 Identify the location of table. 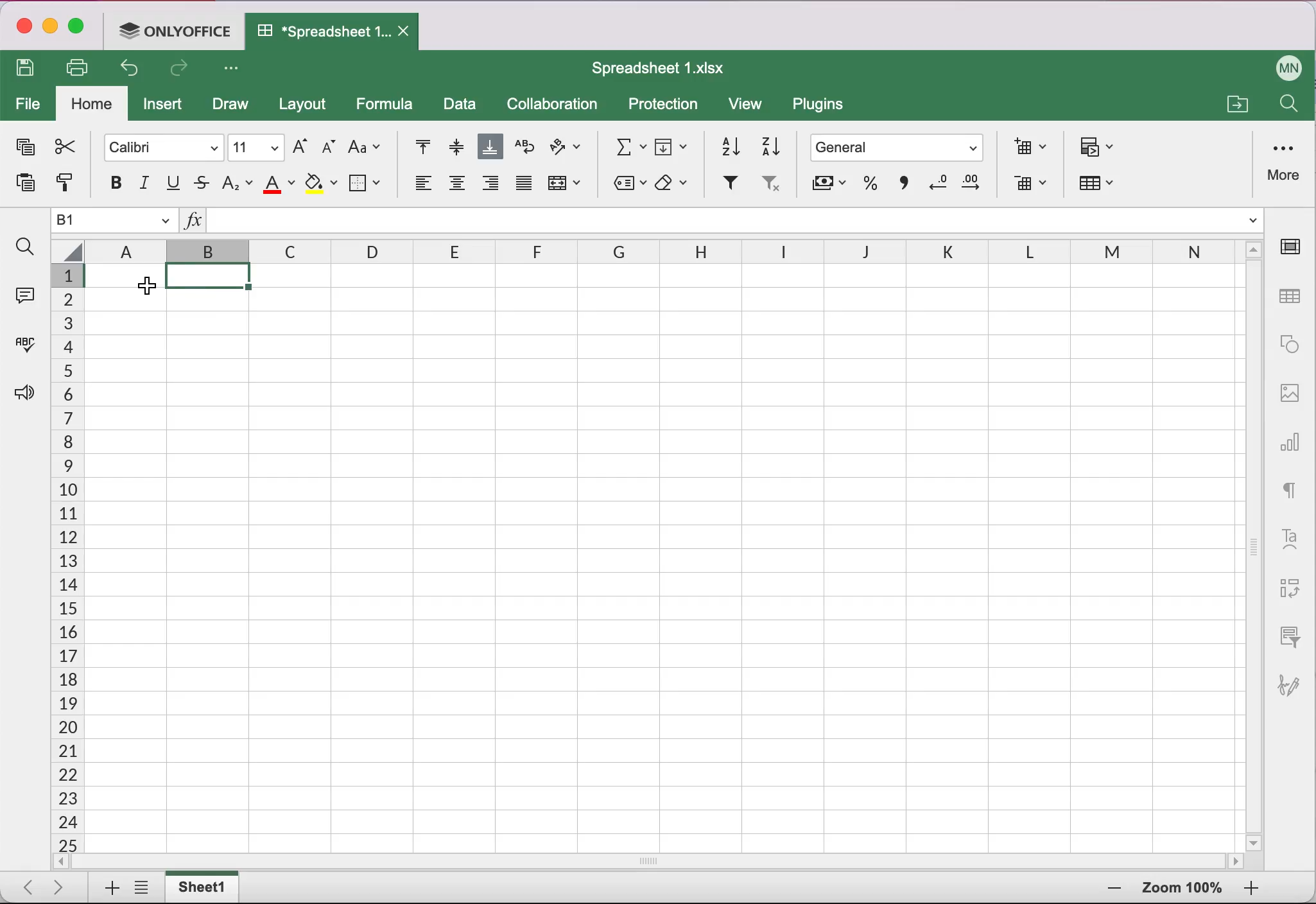
(1292, 297).